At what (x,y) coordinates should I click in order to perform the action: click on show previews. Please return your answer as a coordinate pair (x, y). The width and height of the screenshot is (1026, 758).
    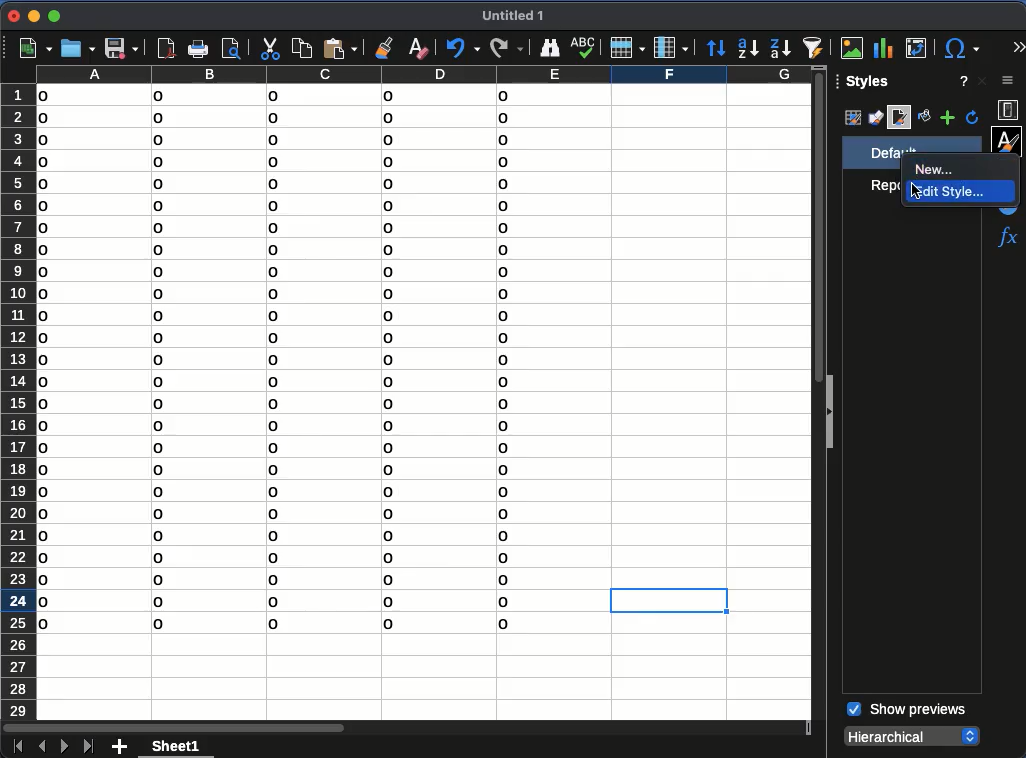
    Looking at the image, I should click on (905, 710).